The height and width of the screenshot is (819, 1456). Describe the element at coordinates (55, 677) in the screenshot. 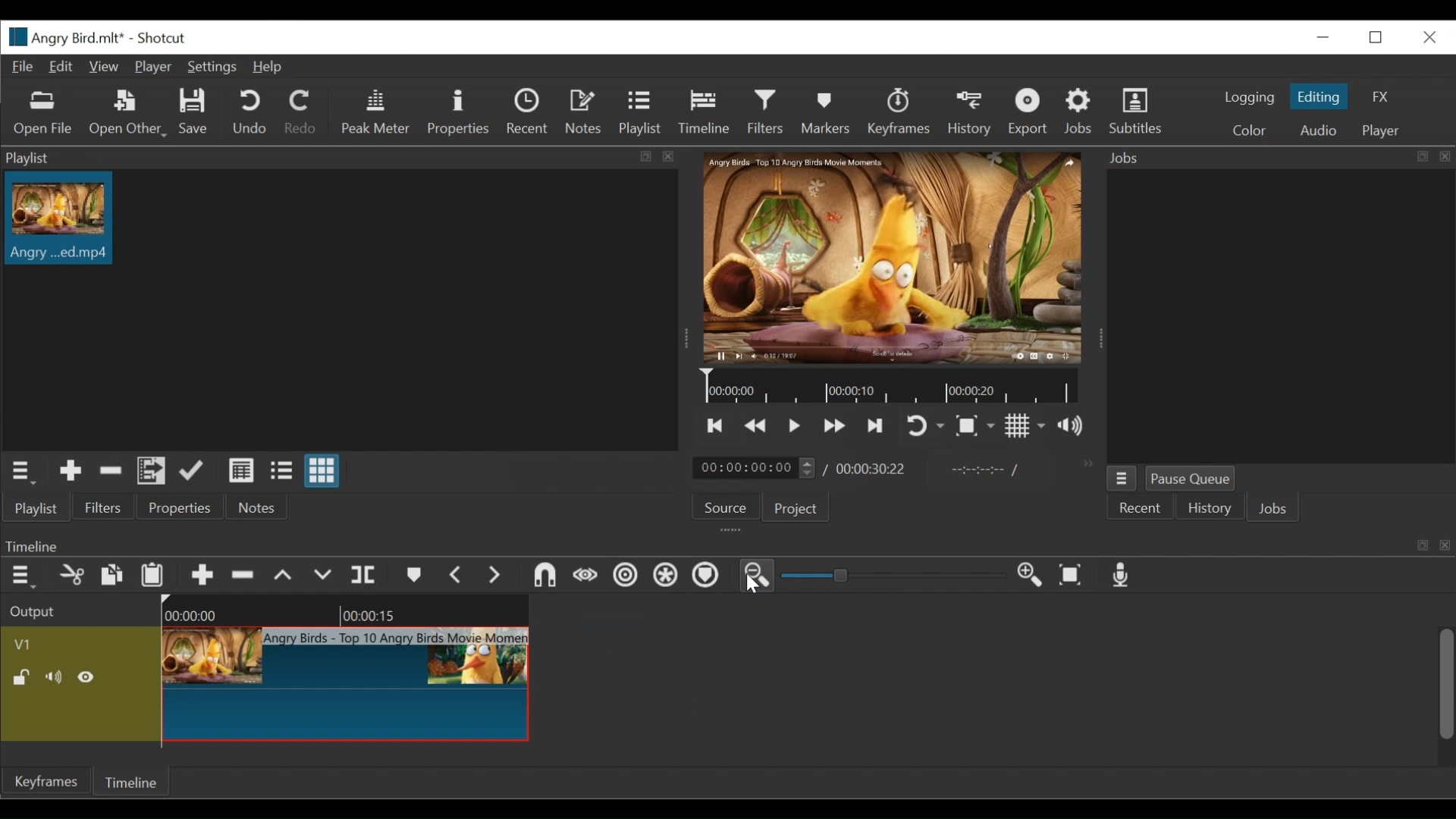

I see `mute` at that location.